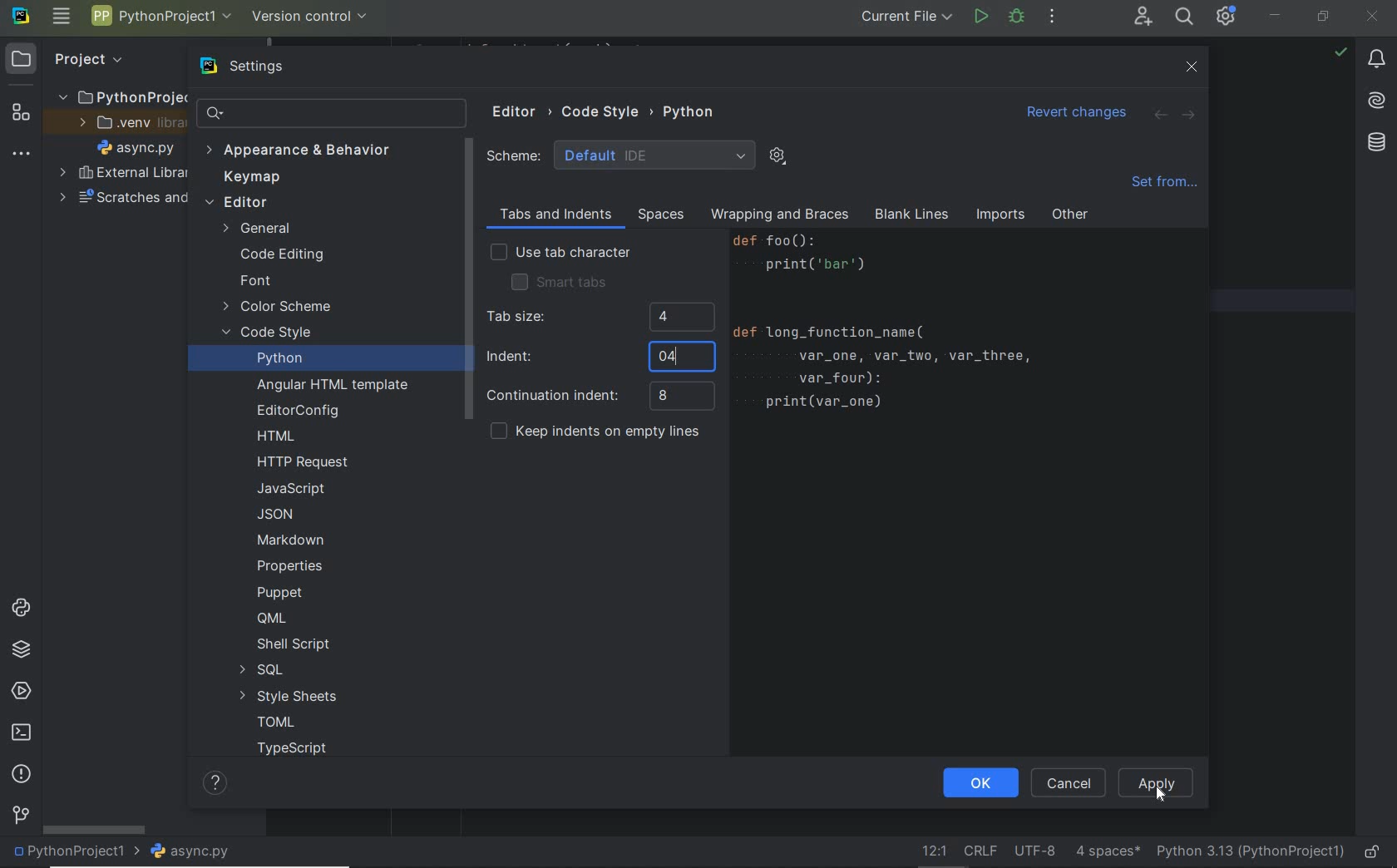  I want to click on Project name, so click(159, 18).